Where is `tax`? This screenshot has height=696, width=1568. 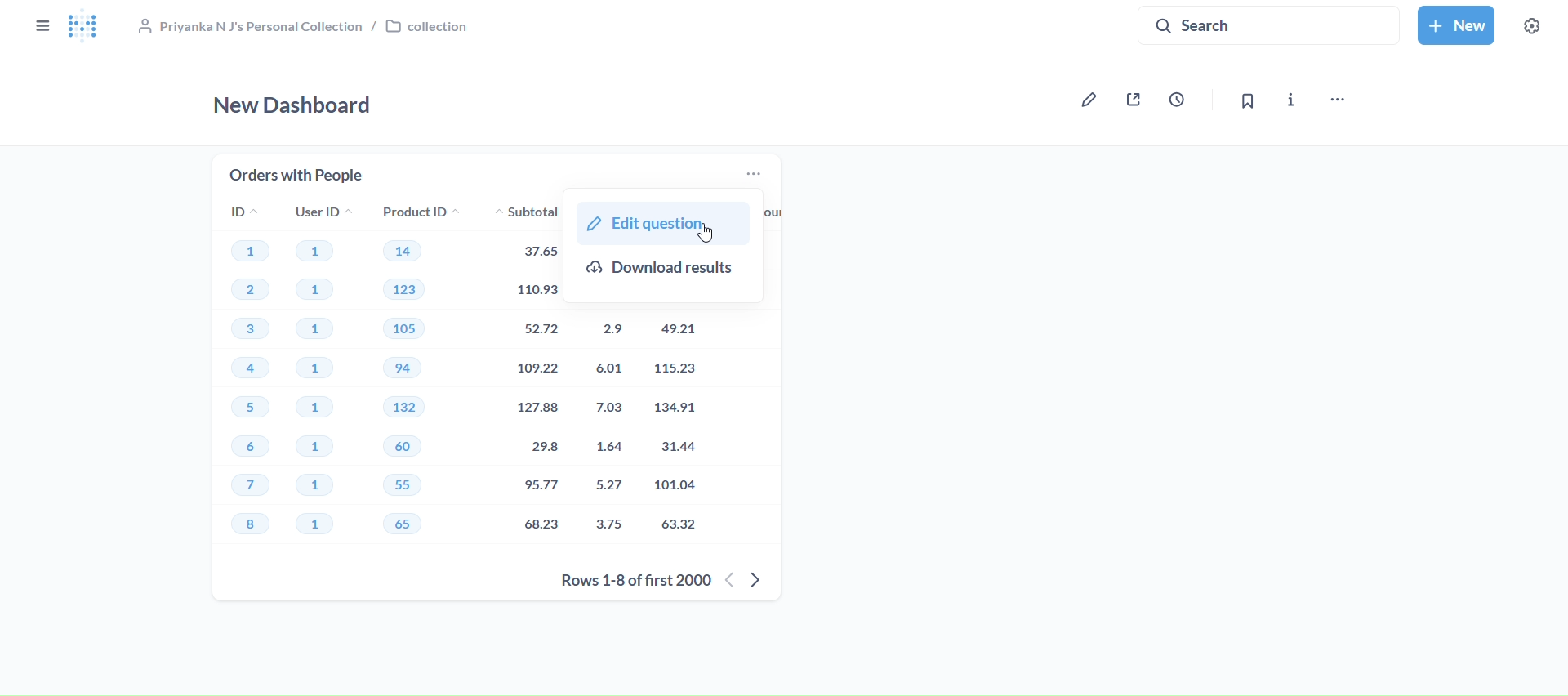
tax is located at coordinates (608, 425).